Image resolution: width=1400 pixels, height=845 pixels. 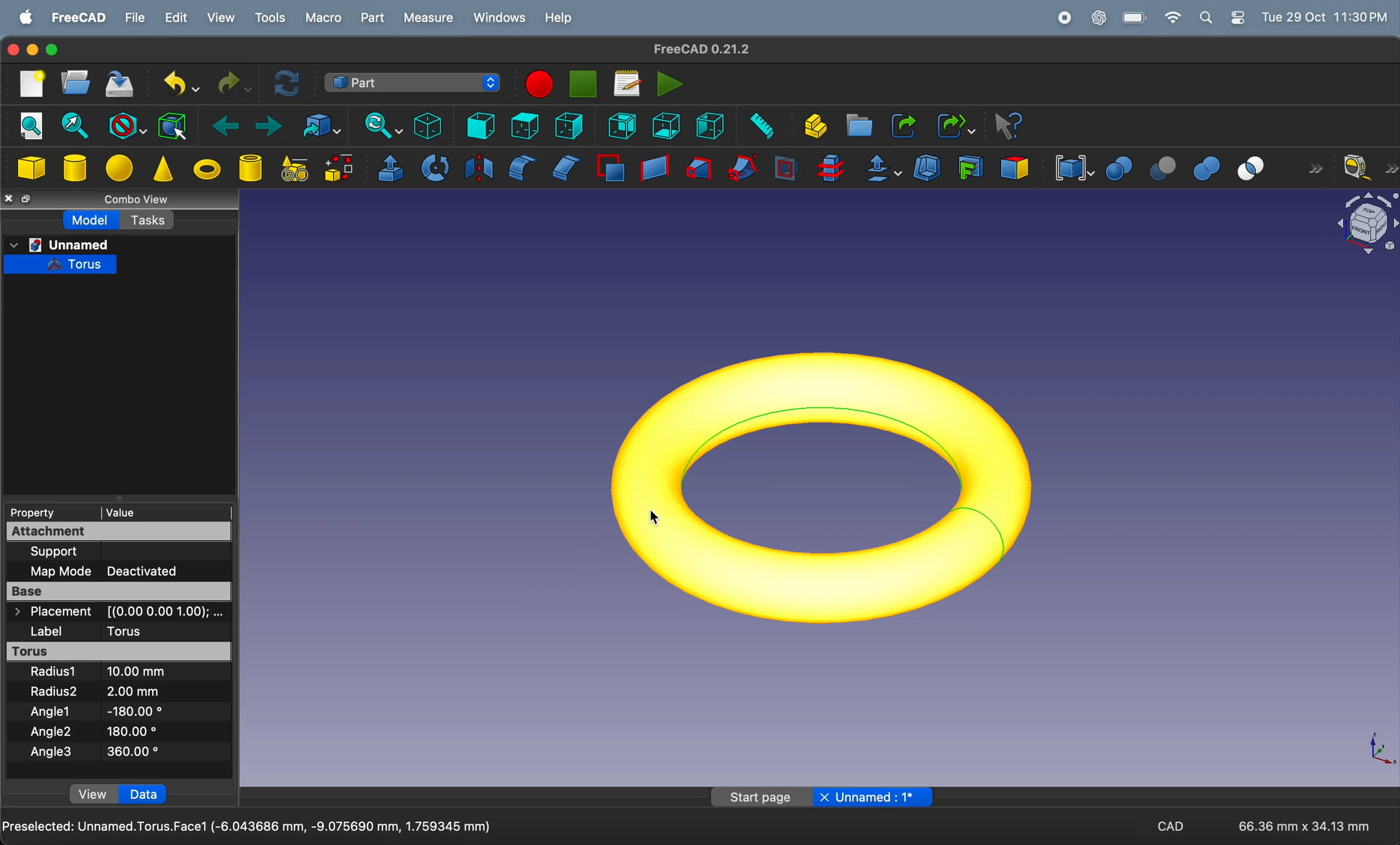 I want to click on create projection on surface, so click(x=968, y=167).